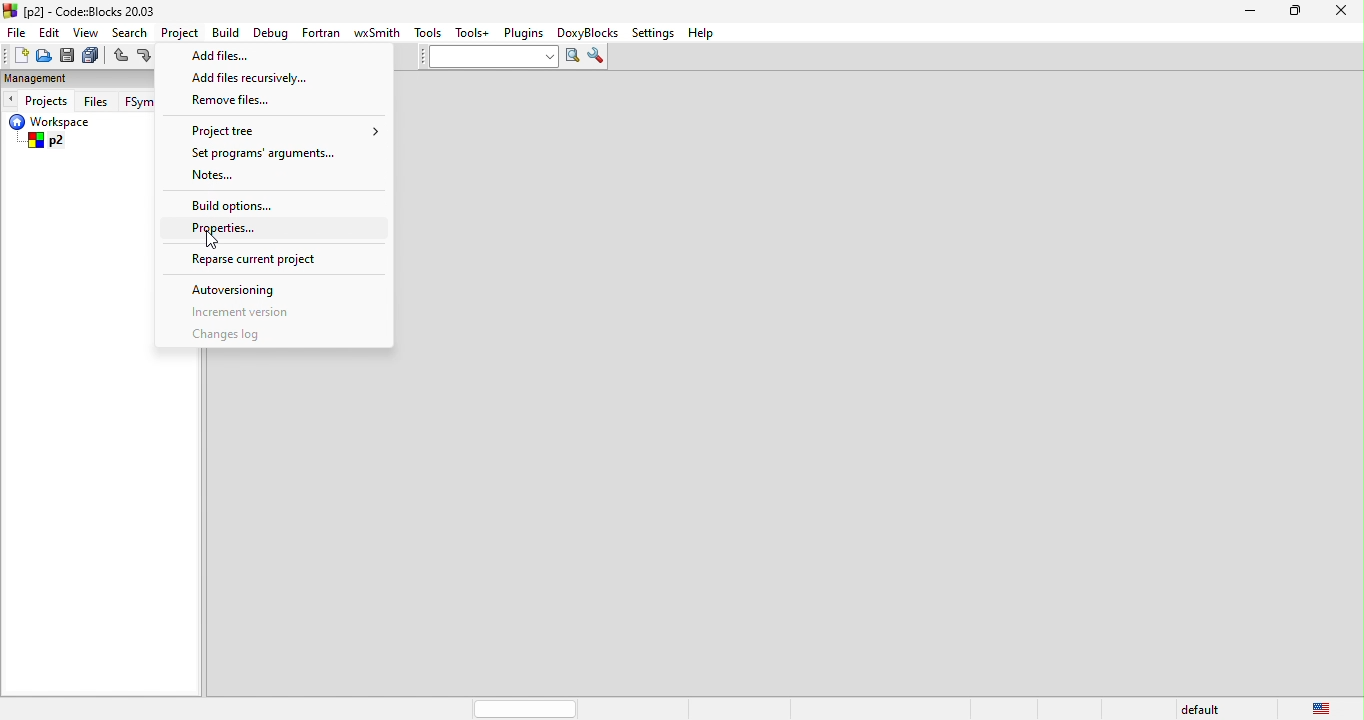 The height and width of the screenshot is (720, 1364). I want to click on settings, so click(652, 34).